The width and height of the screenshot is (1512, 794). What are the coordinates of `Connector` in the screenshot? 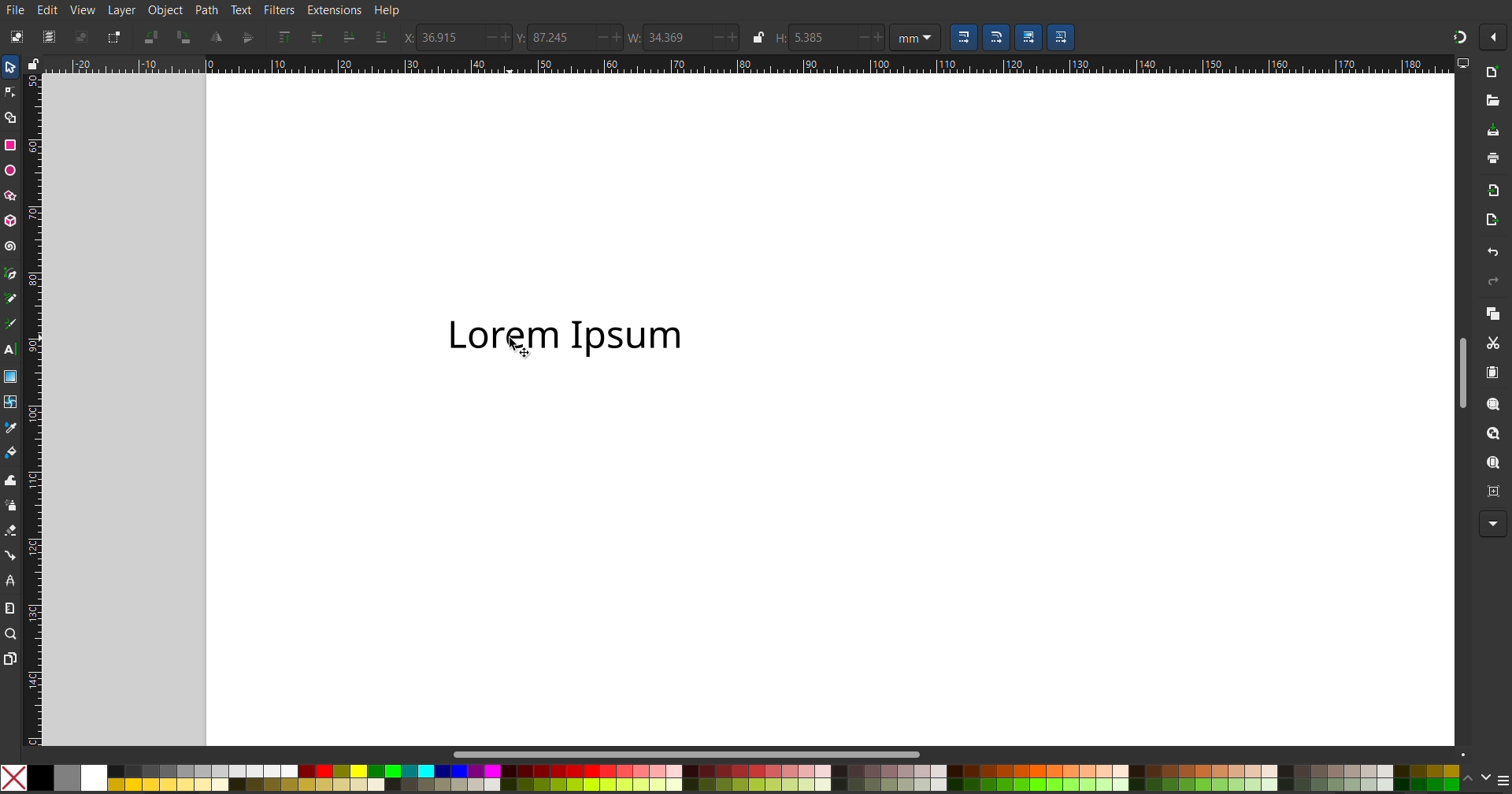 It's located at (13, 555).